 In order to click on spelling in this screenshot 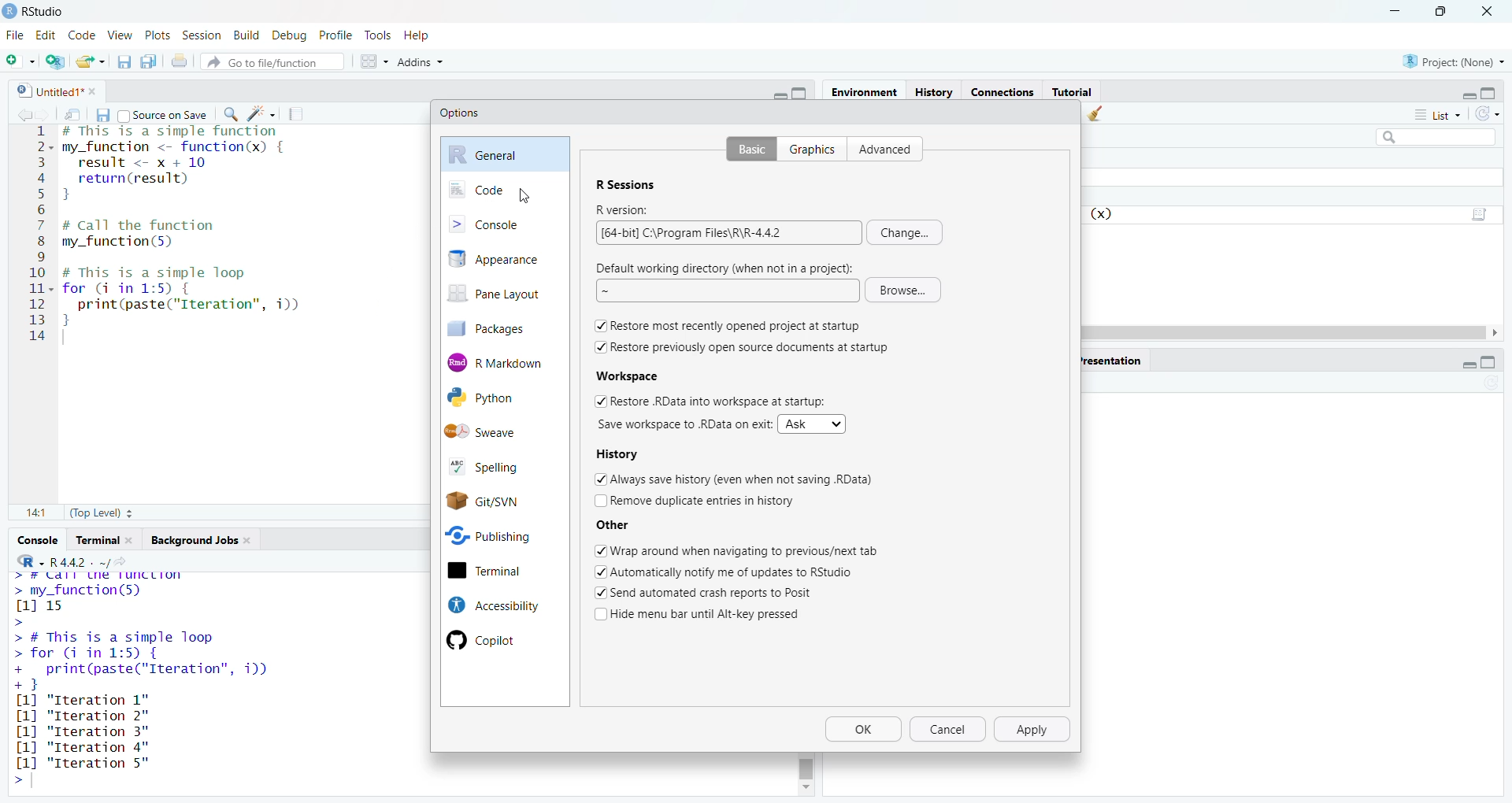, I will do `click(498, 464)`.